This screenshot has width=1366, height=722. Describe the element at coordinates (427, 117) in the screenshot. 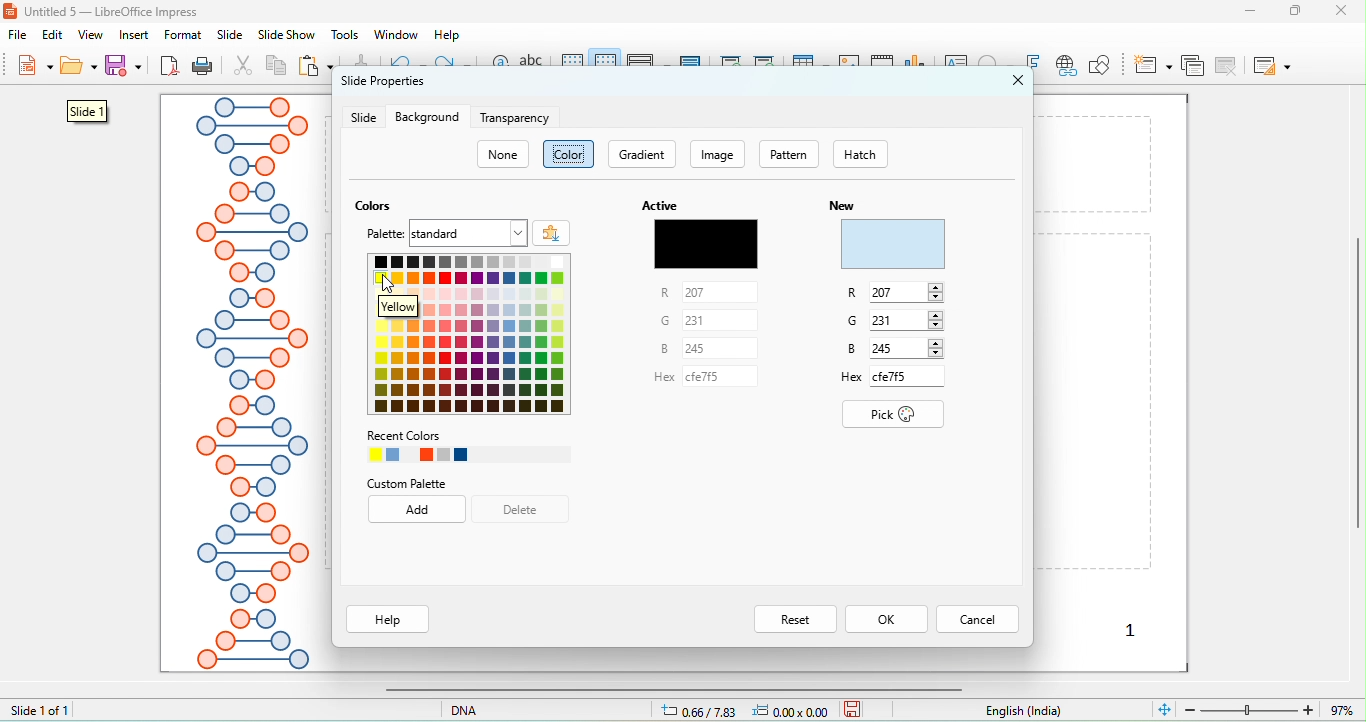

I see `background` at that location.